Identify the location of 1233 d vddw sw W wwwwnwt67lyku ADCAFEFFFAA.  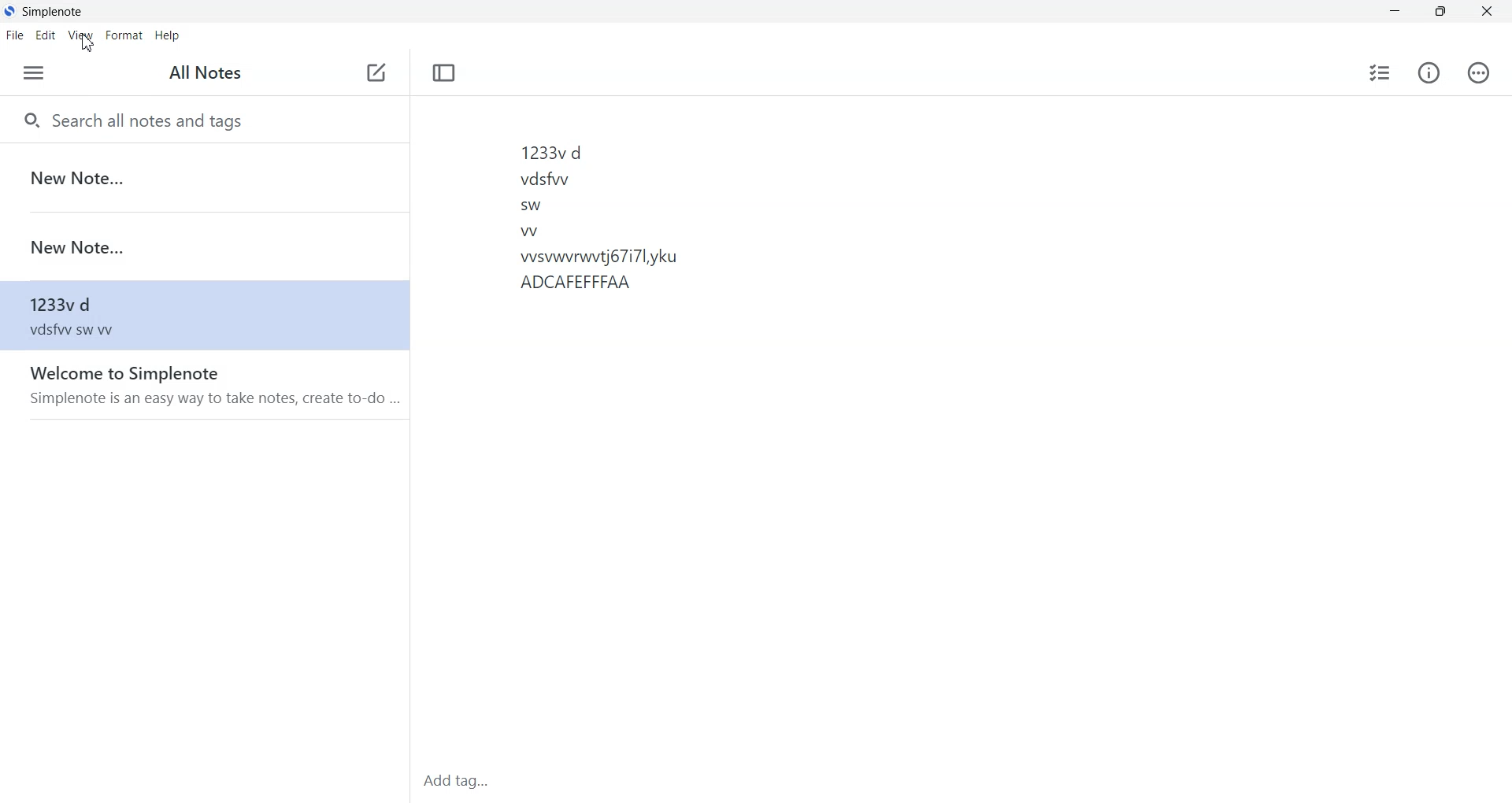
(756, 427).